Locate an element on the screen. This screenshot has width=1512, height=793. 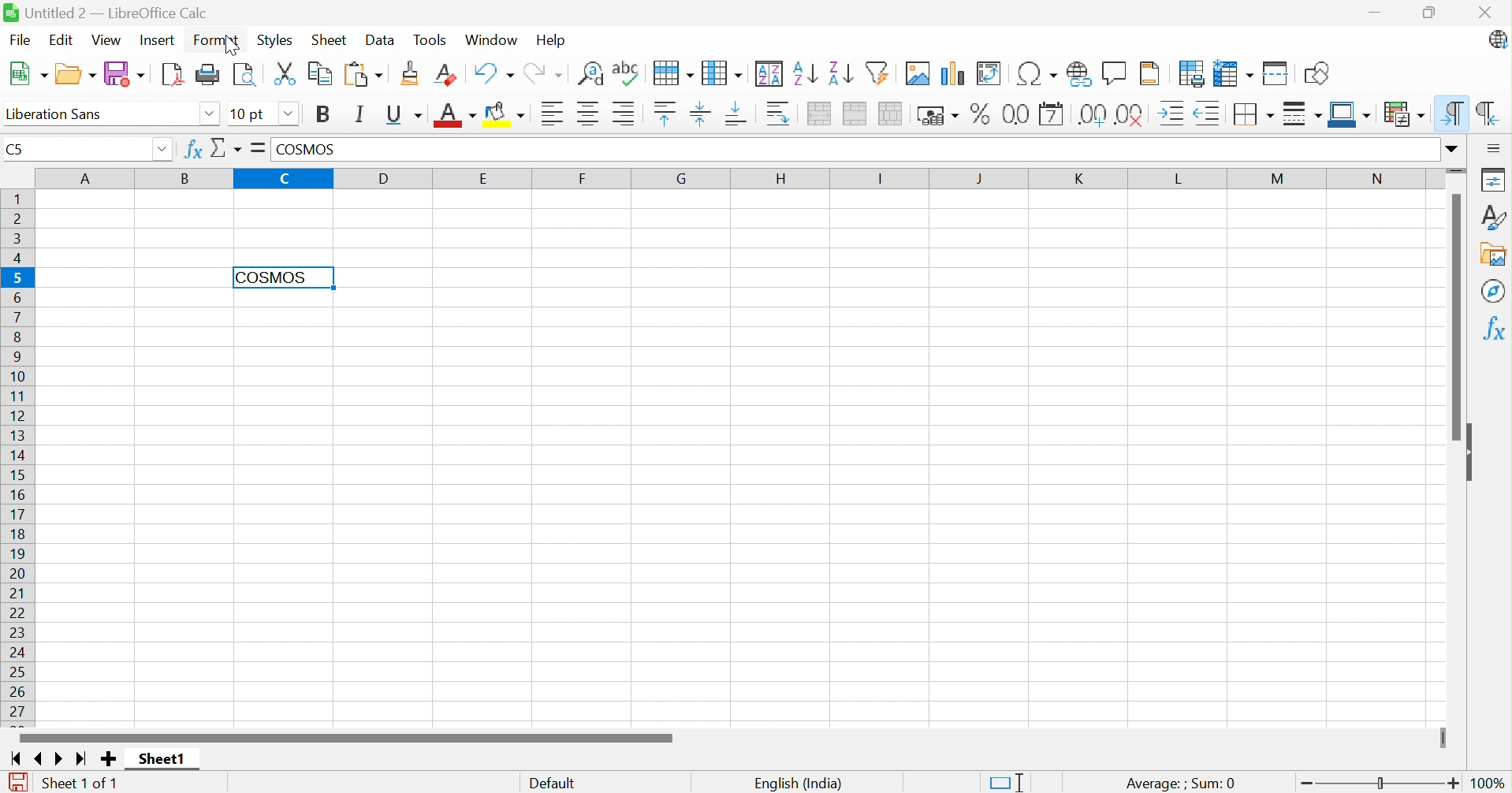
Minimize is located at coordinates (1376, 12).